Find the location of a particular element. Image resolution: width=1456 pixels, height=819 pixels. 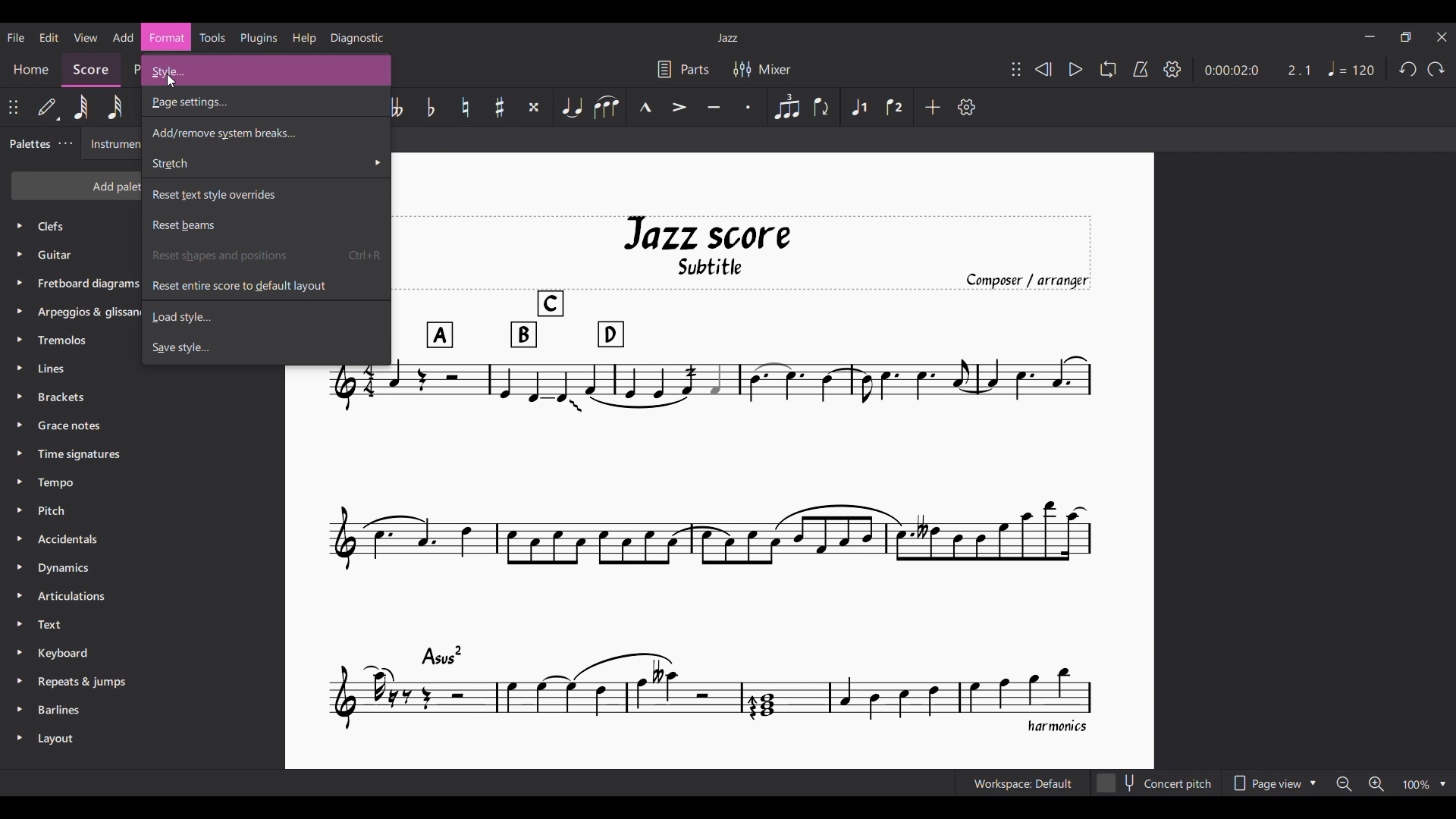

Current score is located at coordinates (716, 475).